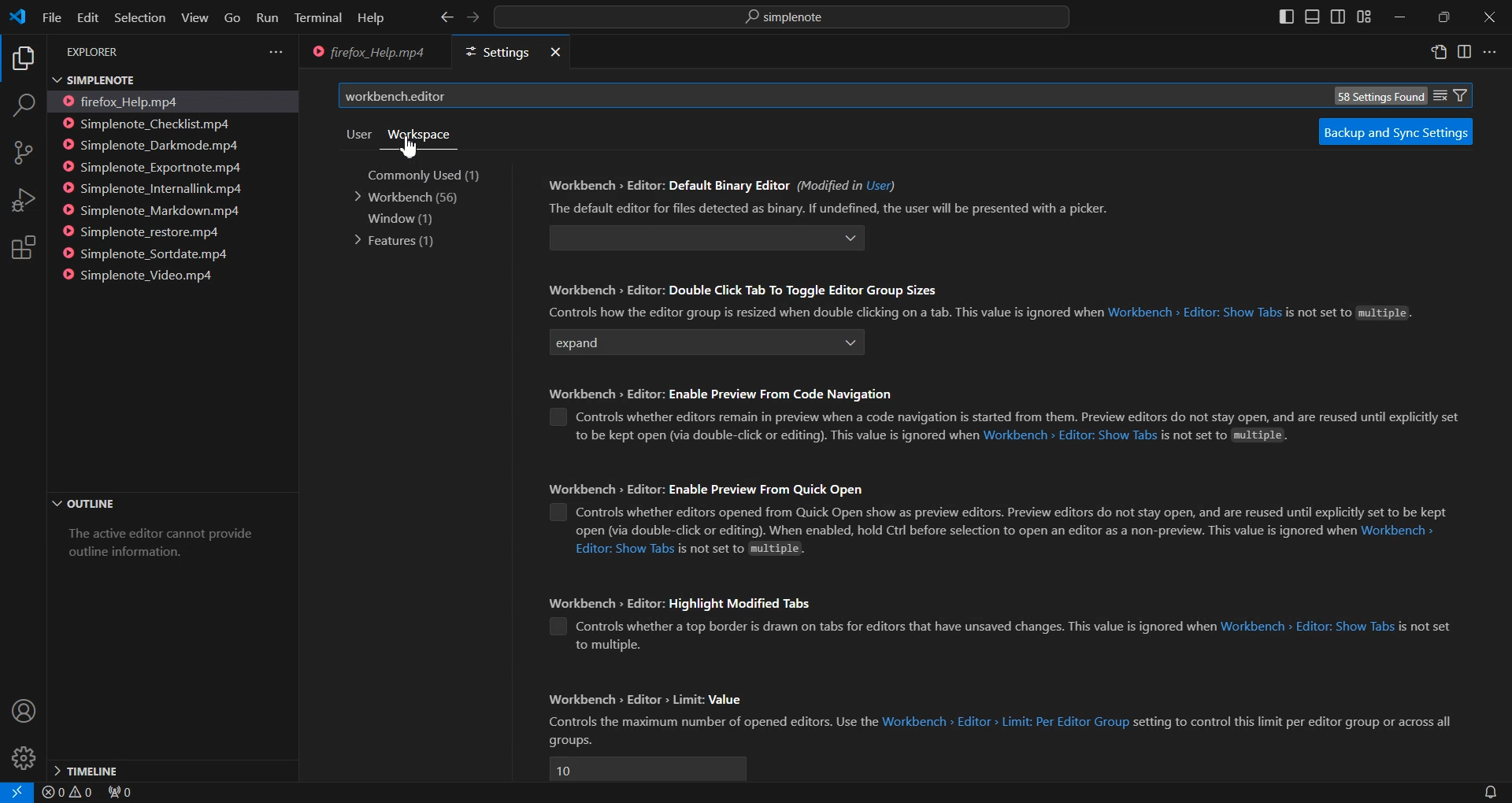 The height and width of the screenshot is (803, 1512). Describe the element at coordinates (157, 79) in the screenshot. I see `Simplenote  Files` at that location.